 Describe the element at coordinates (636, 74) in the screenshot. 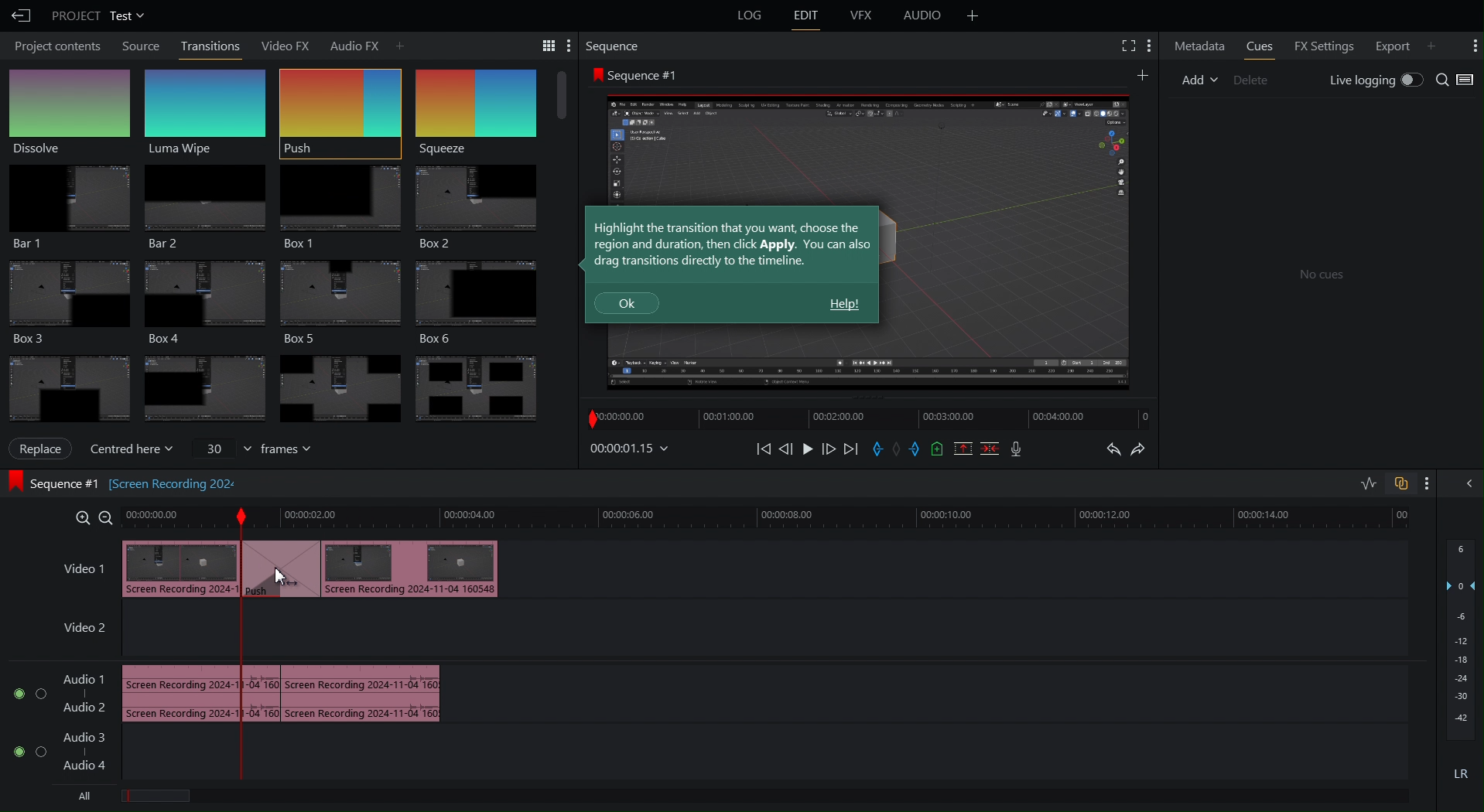

I see `Sequence #1` at that location.